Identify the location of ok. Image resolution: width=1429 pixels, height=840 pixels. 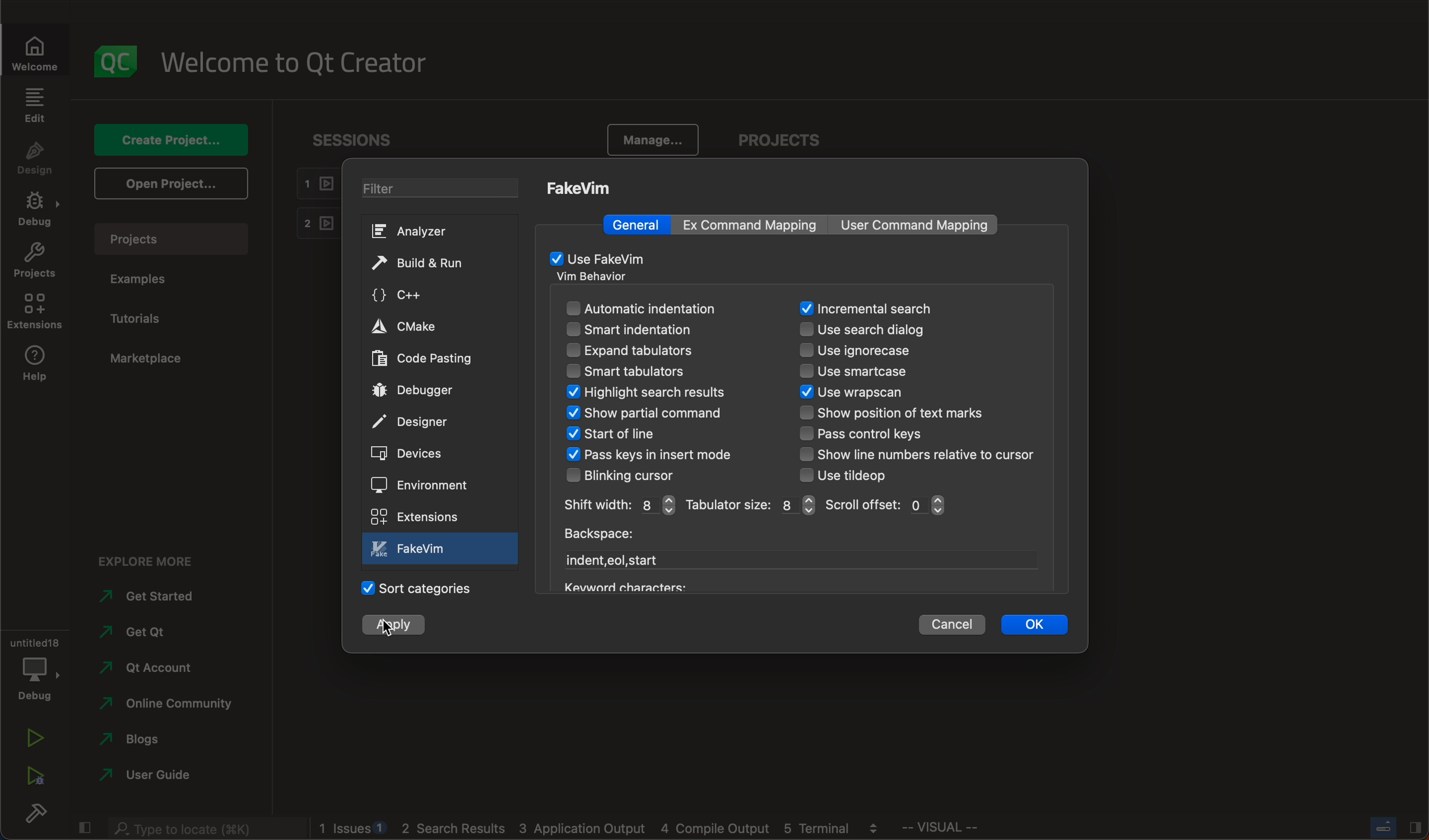
(1034, 626).